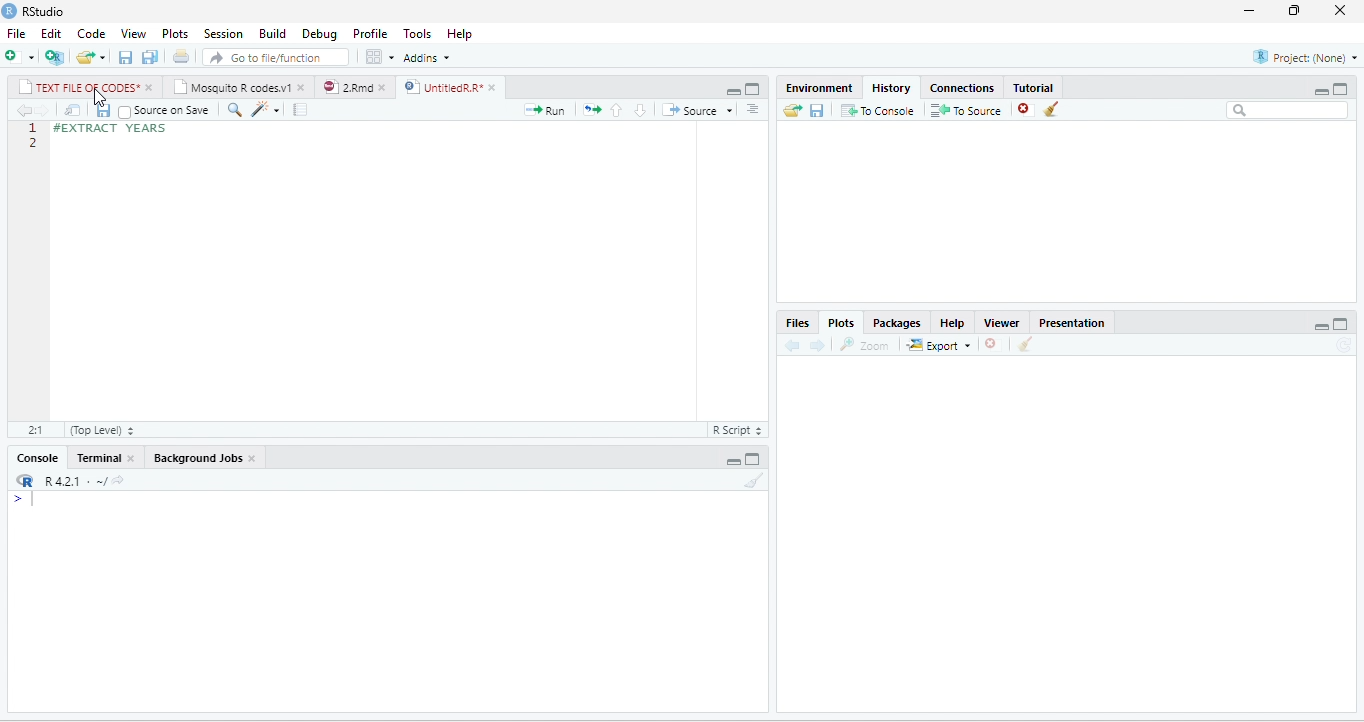 This screenshot has height=722, width=1364. I want to click on Top Level, so click(102, 429).